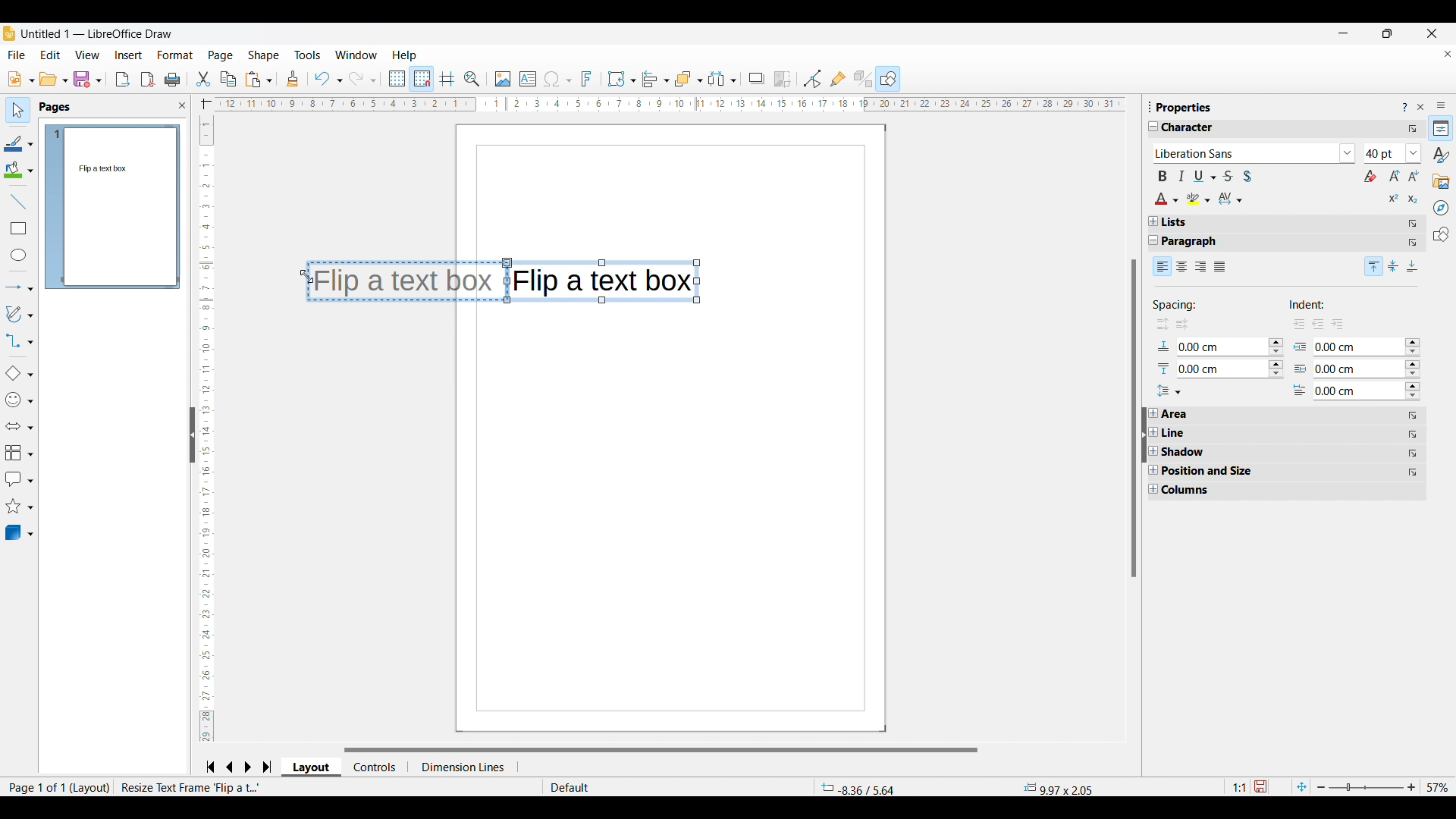  What do you see at coordinates (18, 202) in the screenshot?
I see `Insert line` at bounding box center [18, 202].